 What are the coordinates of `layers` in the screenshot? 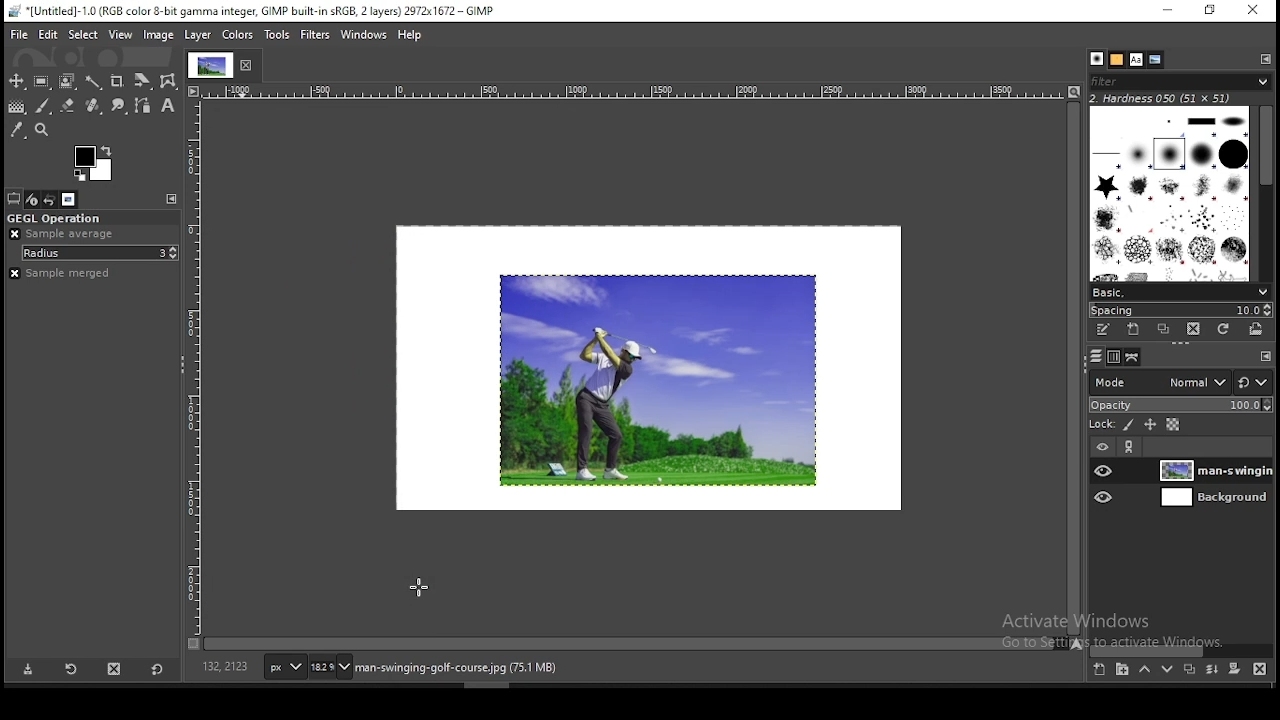 It's located at (1093, 357).